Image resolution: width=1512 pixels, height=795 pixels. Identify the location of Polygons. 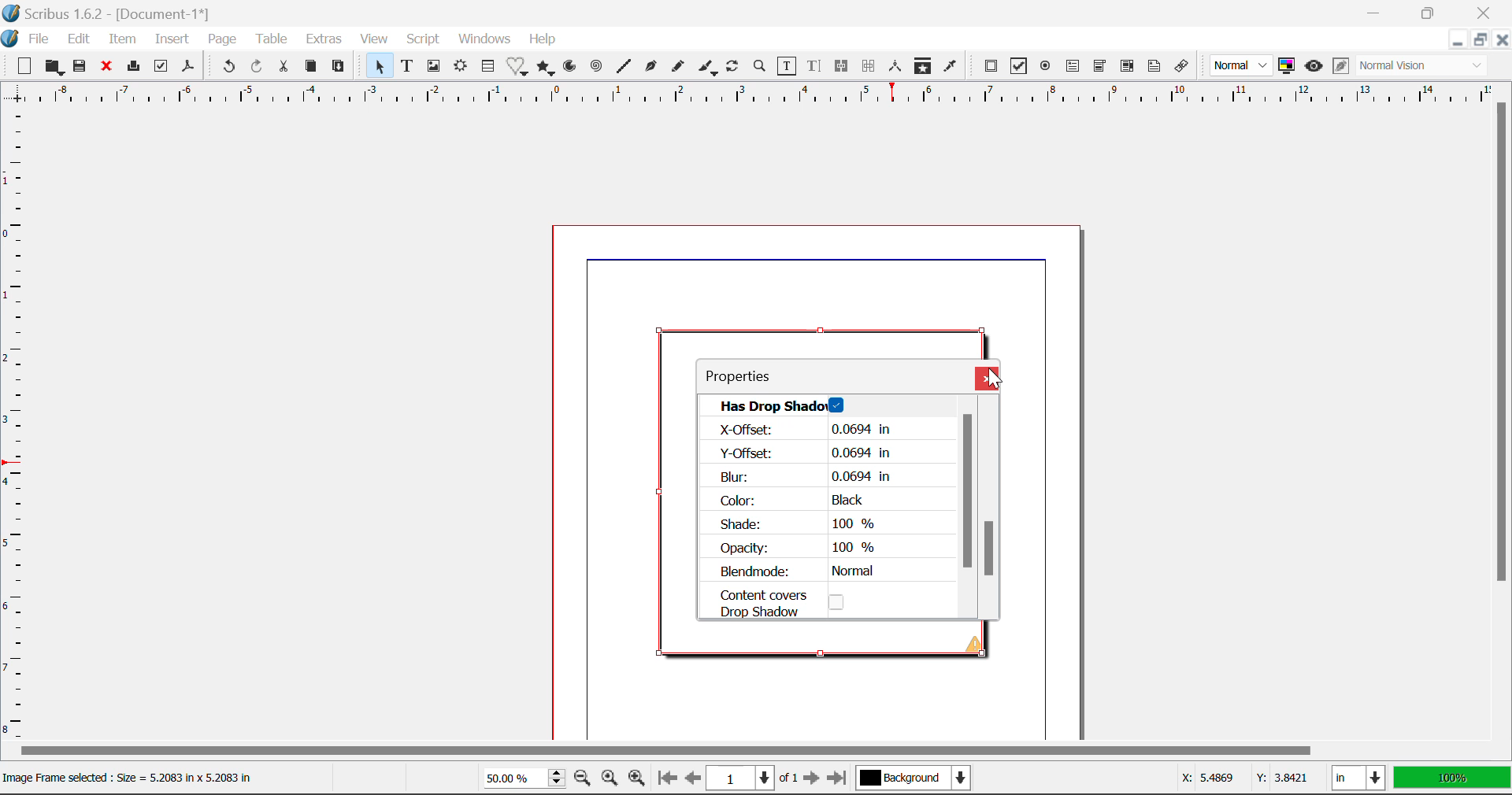
(547, 68).